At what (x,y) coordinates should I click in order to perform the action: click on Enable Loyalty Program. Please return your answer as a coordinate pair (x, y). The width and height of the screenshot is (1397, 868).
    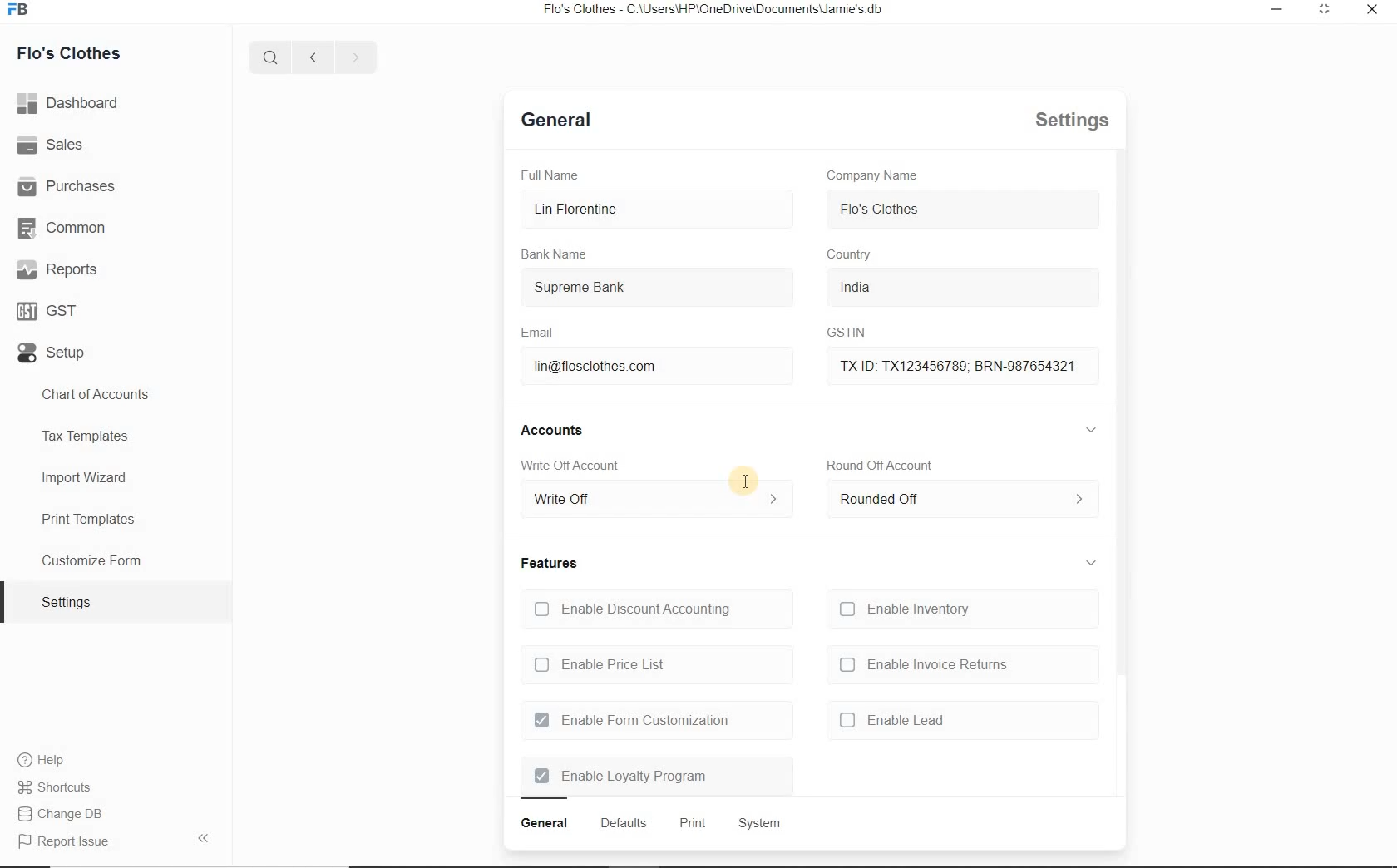
    Looking at the image, I should click on (624, 774).